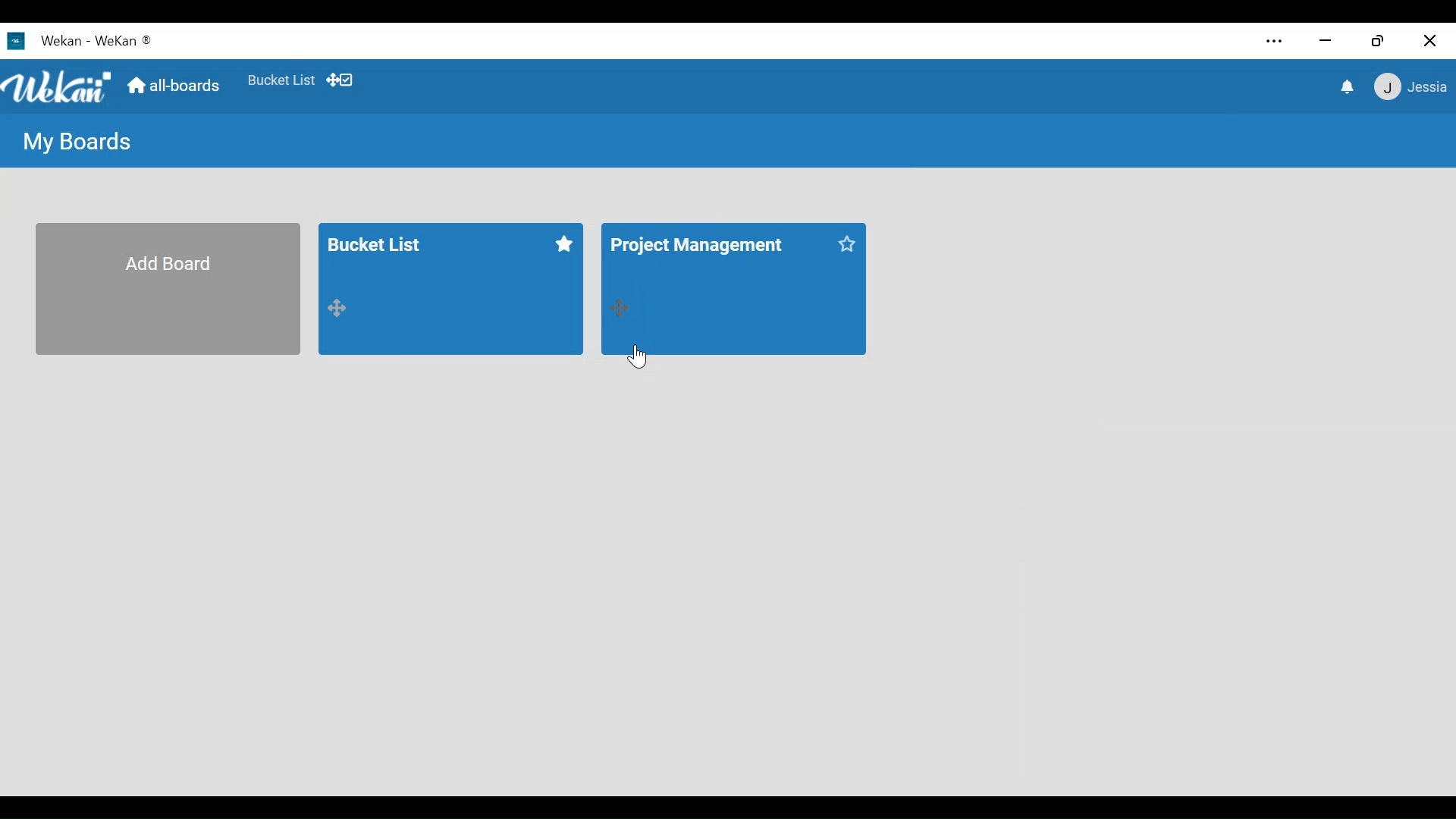 The image size is (1456, 819). What do you see at coordinates (174, 86) in the screenshot?
I see `All-boards` at bounding box center [174, 86].